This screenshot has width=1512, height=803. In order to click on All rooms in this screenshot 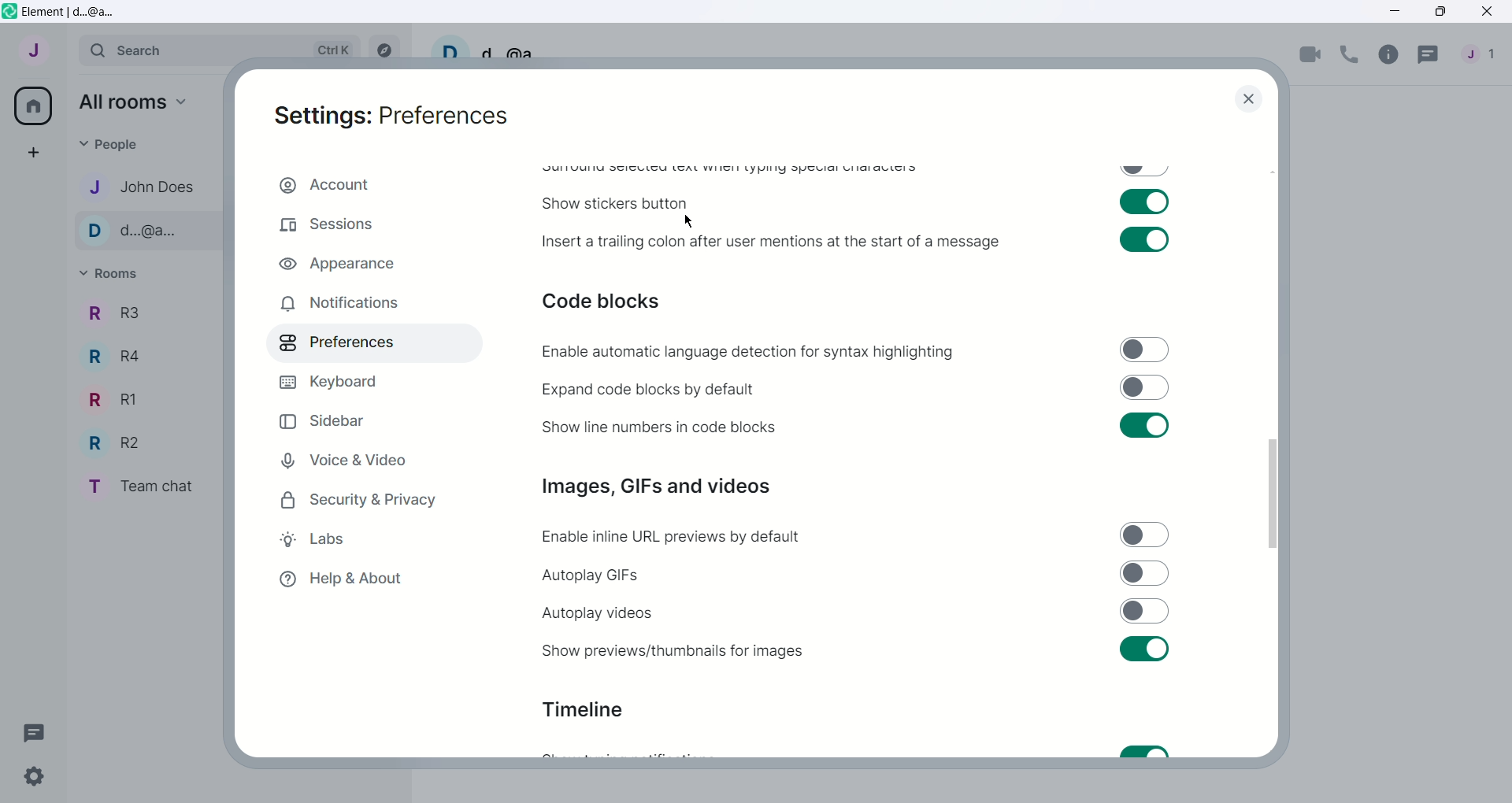, I will do `click(135, 102)`.